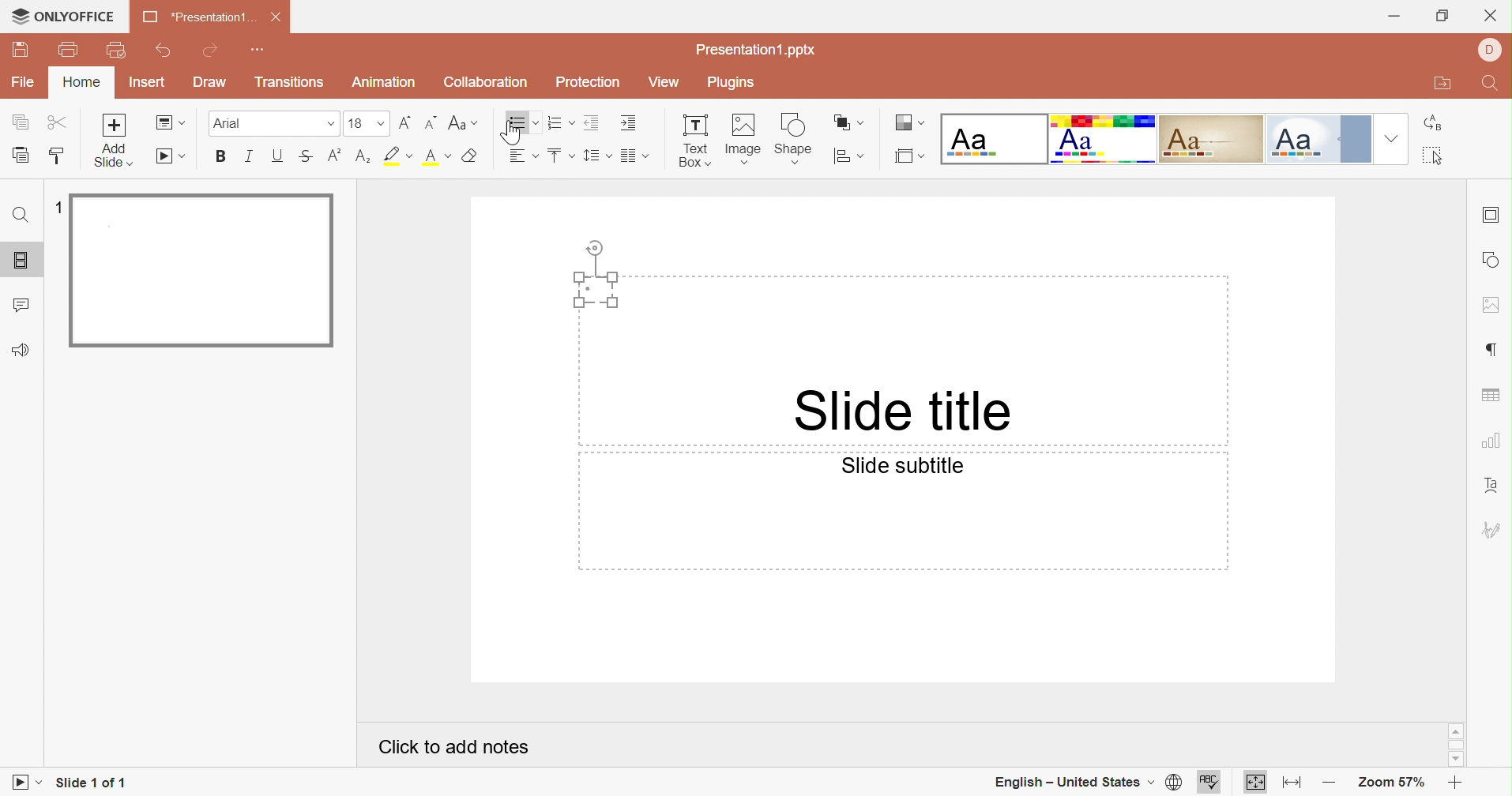 This screenshot has height=796, width=1512. What do you see at coordinates (1296, 783) in the screenshot?
I see `Fit to width` at bounding box center [1296, 783].